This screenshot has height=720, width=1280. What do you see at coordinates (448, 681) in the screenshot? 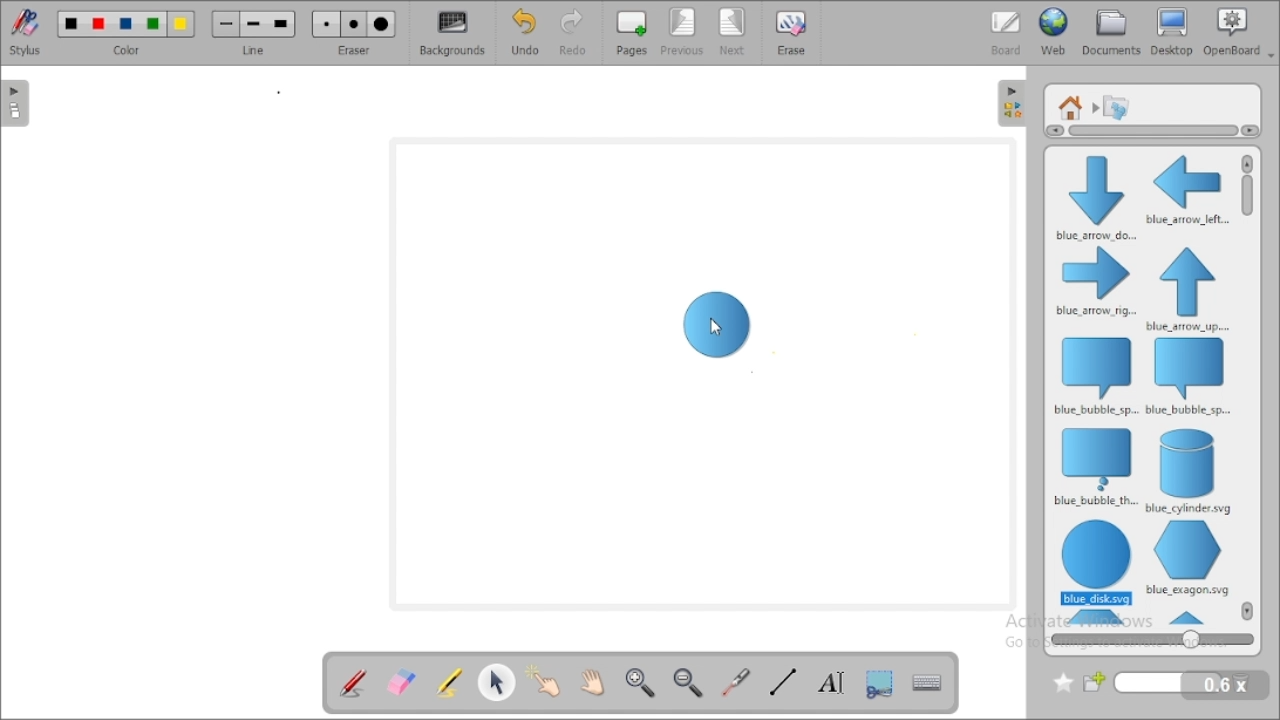
I see `highlight` at bounding box center [448, 681].